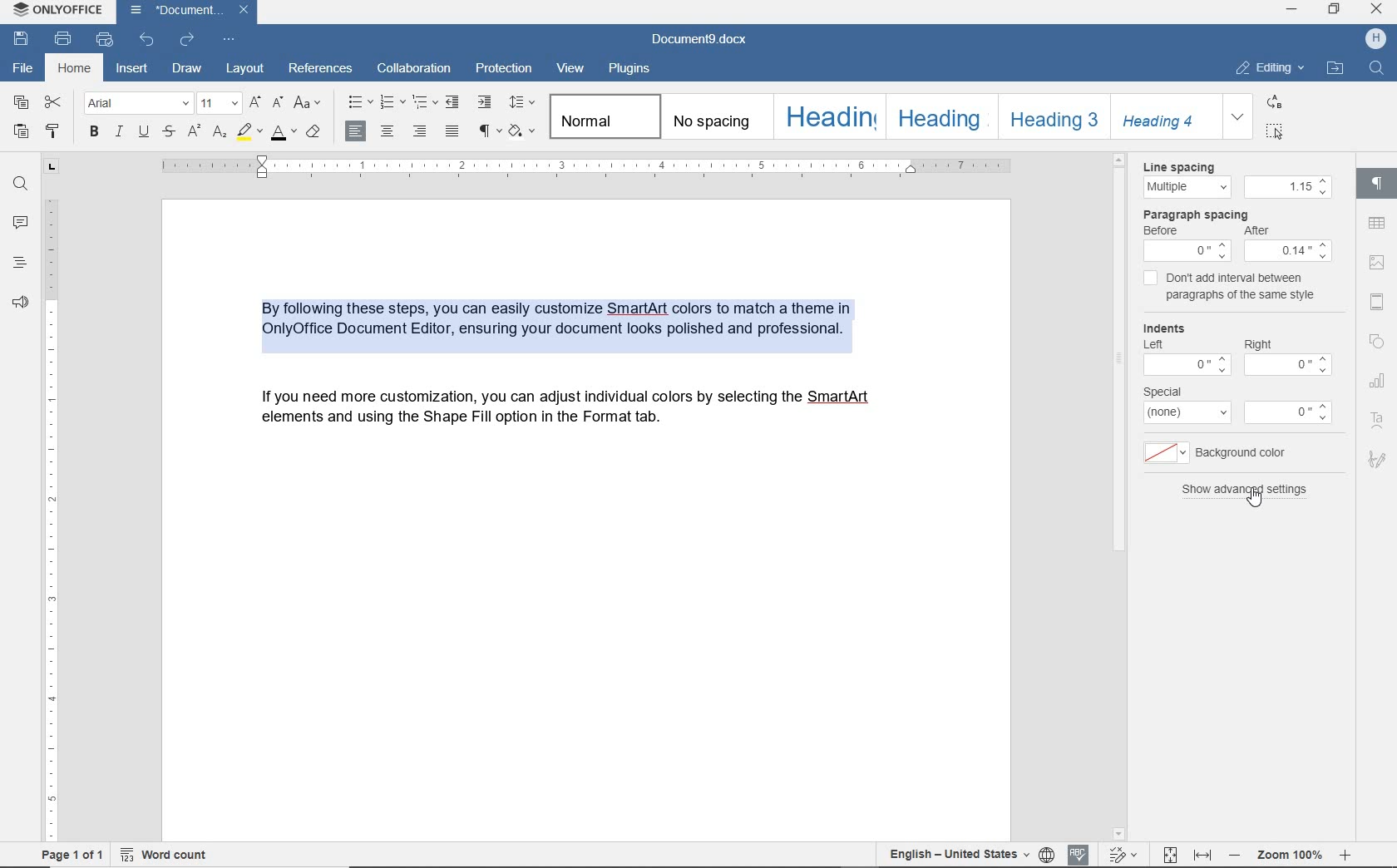 The image size is (1397, 868). I want to click on minimize, so click(1293, 8).